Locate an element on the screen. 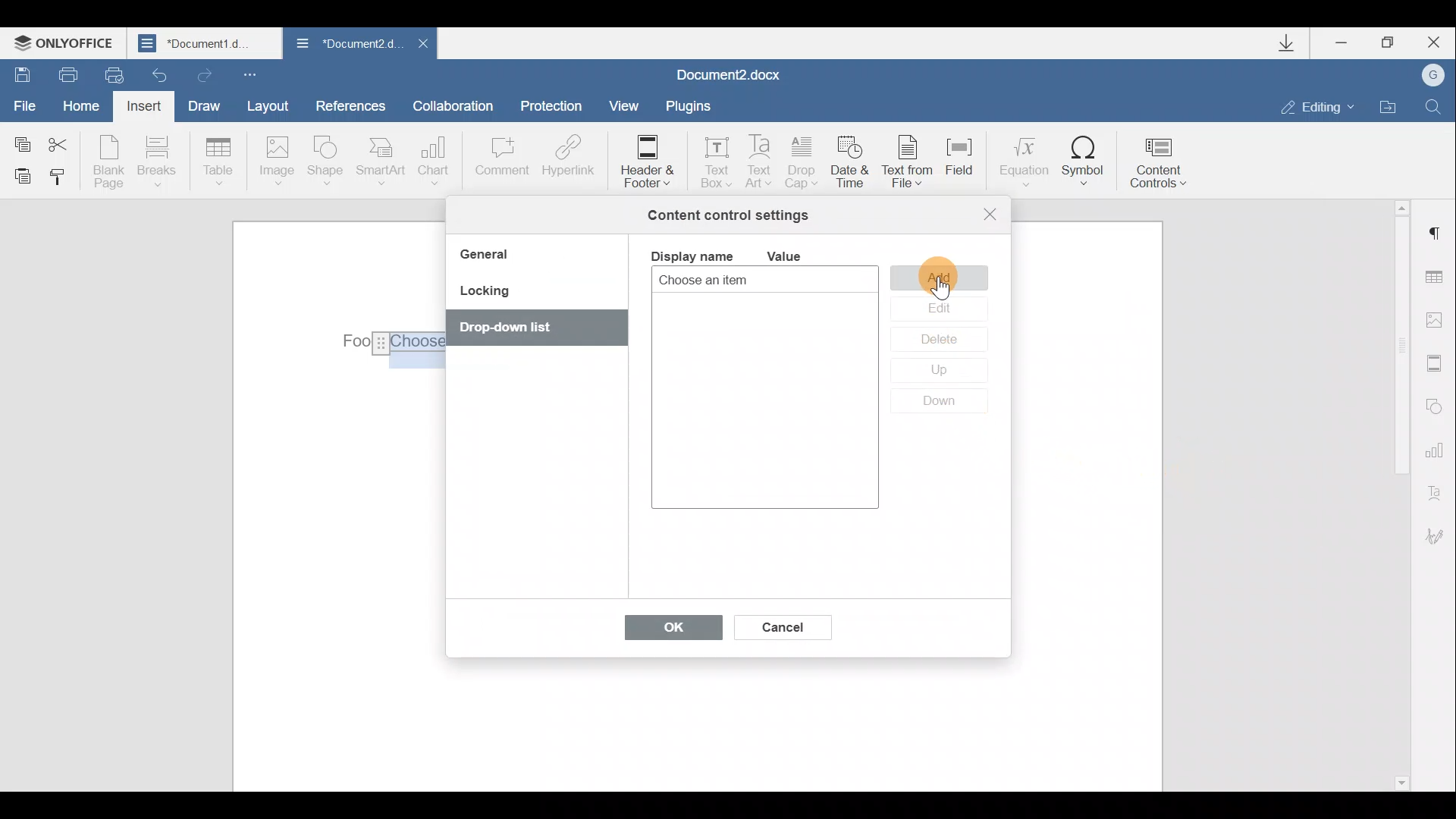  Chart is located at coordinates (437, 161).